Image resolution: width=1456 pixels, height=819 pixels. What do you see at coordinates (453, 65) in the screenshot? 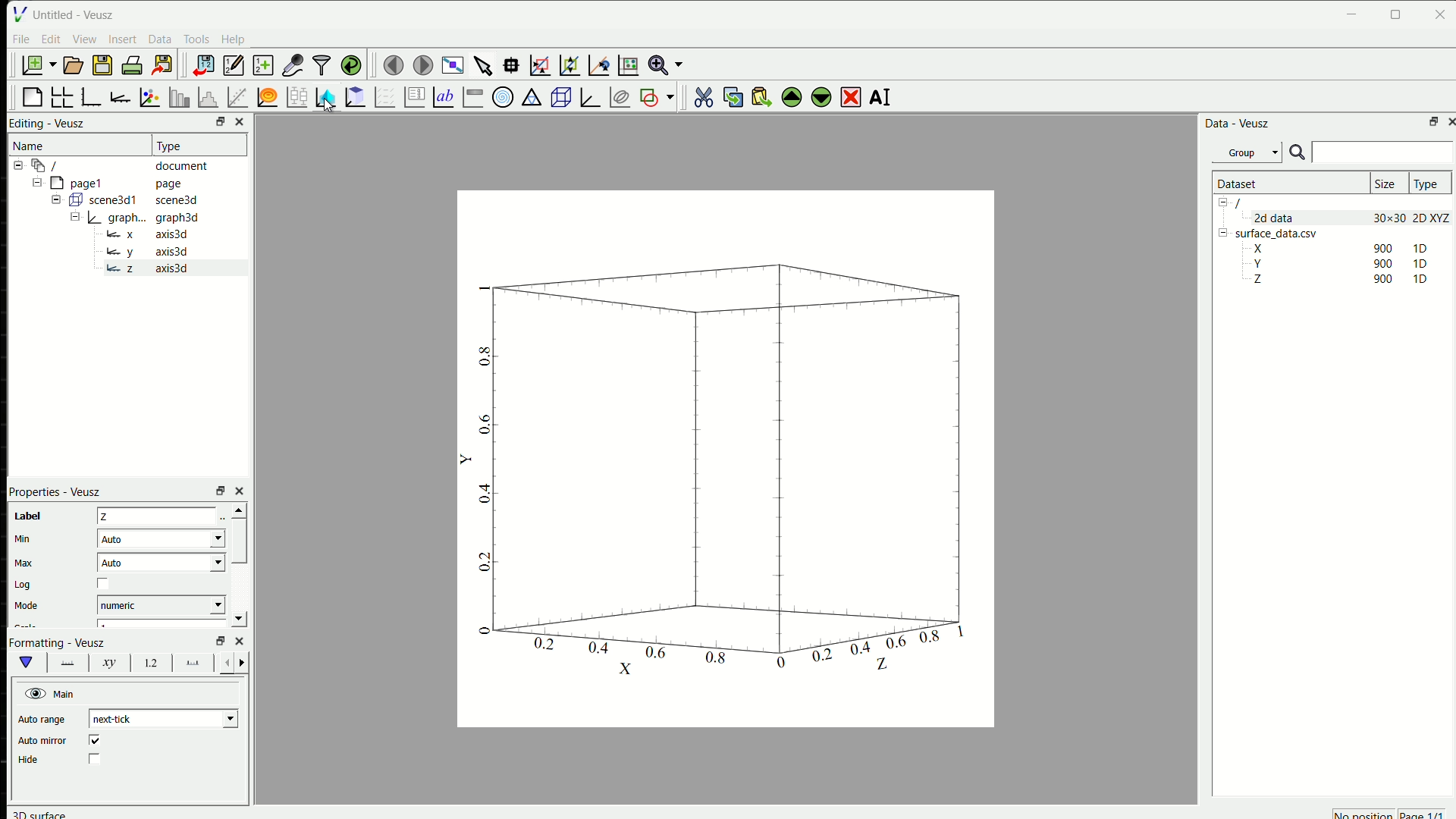
I see `view plot full screen` at bounding box center [453, 65].